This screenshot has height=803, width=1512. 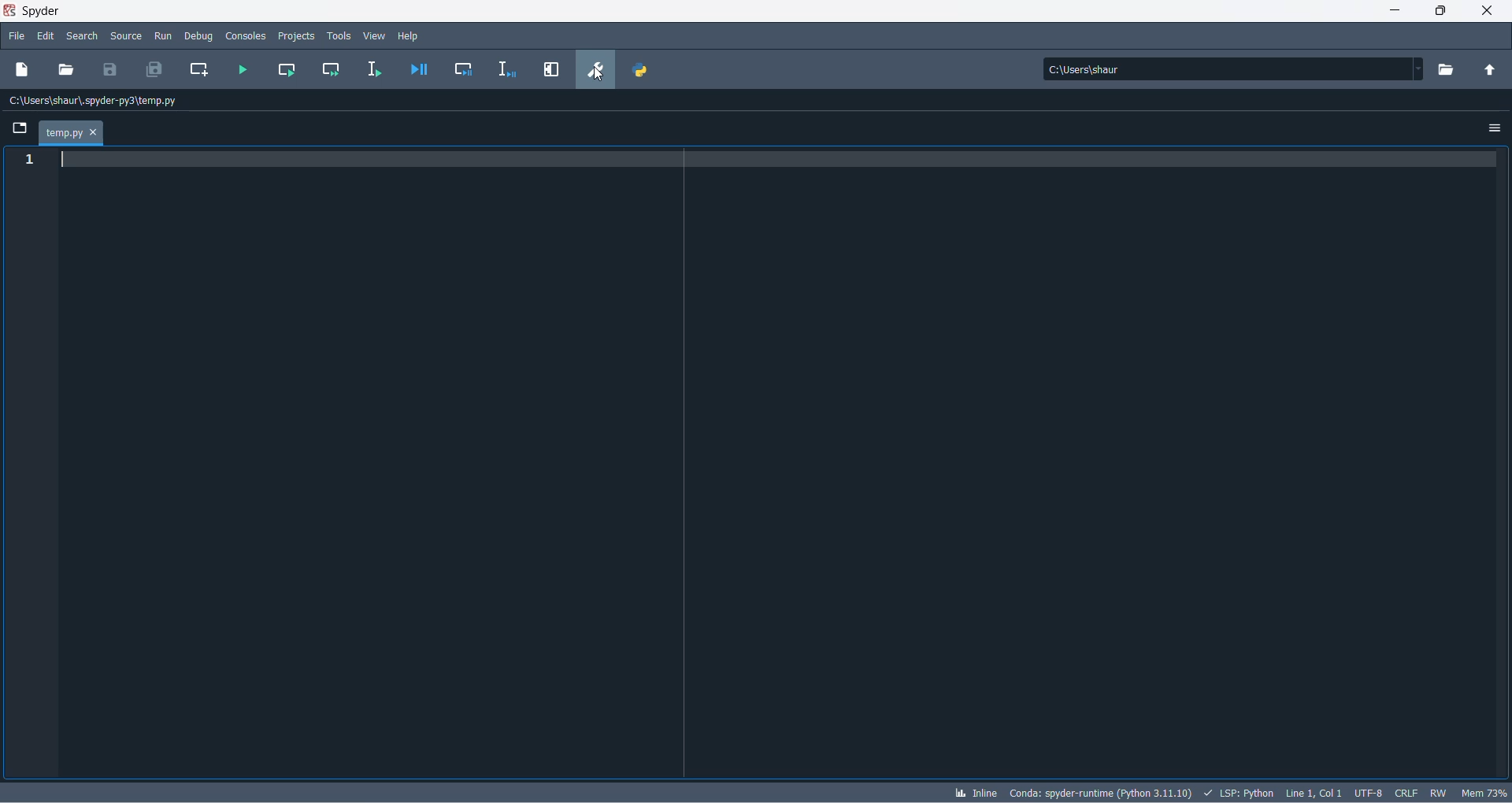 I want to click on close, so click(x=1484, y=15).